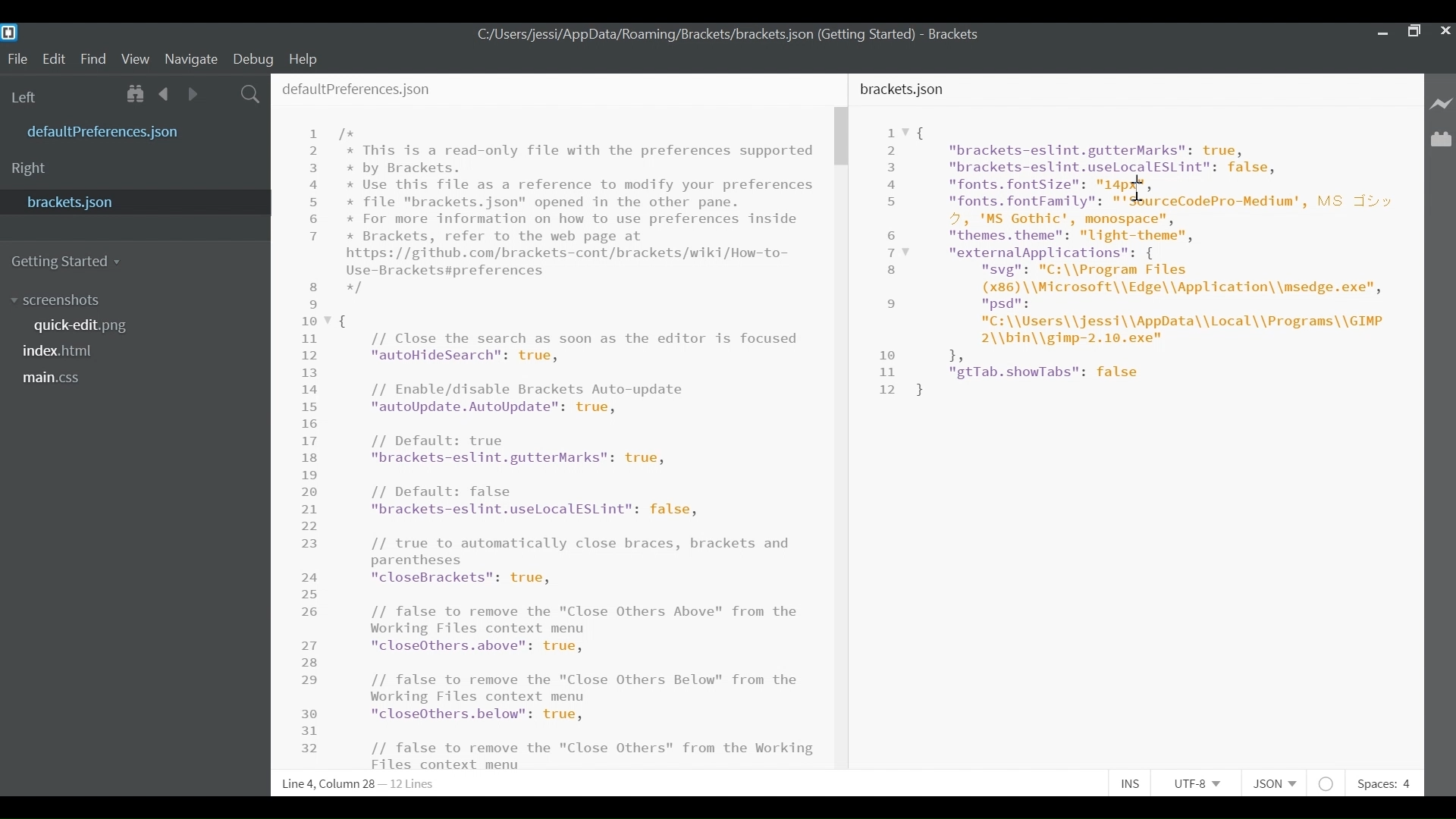 This screenshot has height=819, width=1456. What do you see at coordinates (57, 58) in the screenshot?
I see `Edit` at bounding box center [57, 58].